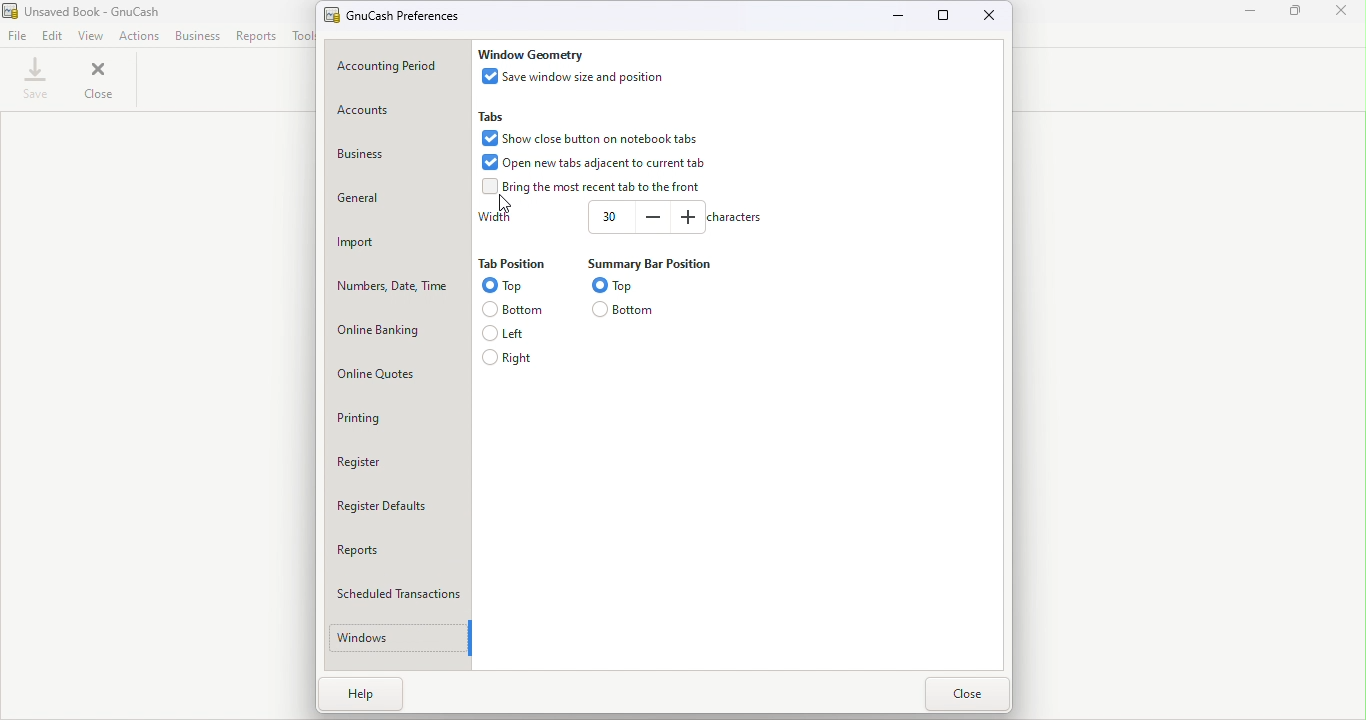  I want to click on Actions, so click(139, 36).